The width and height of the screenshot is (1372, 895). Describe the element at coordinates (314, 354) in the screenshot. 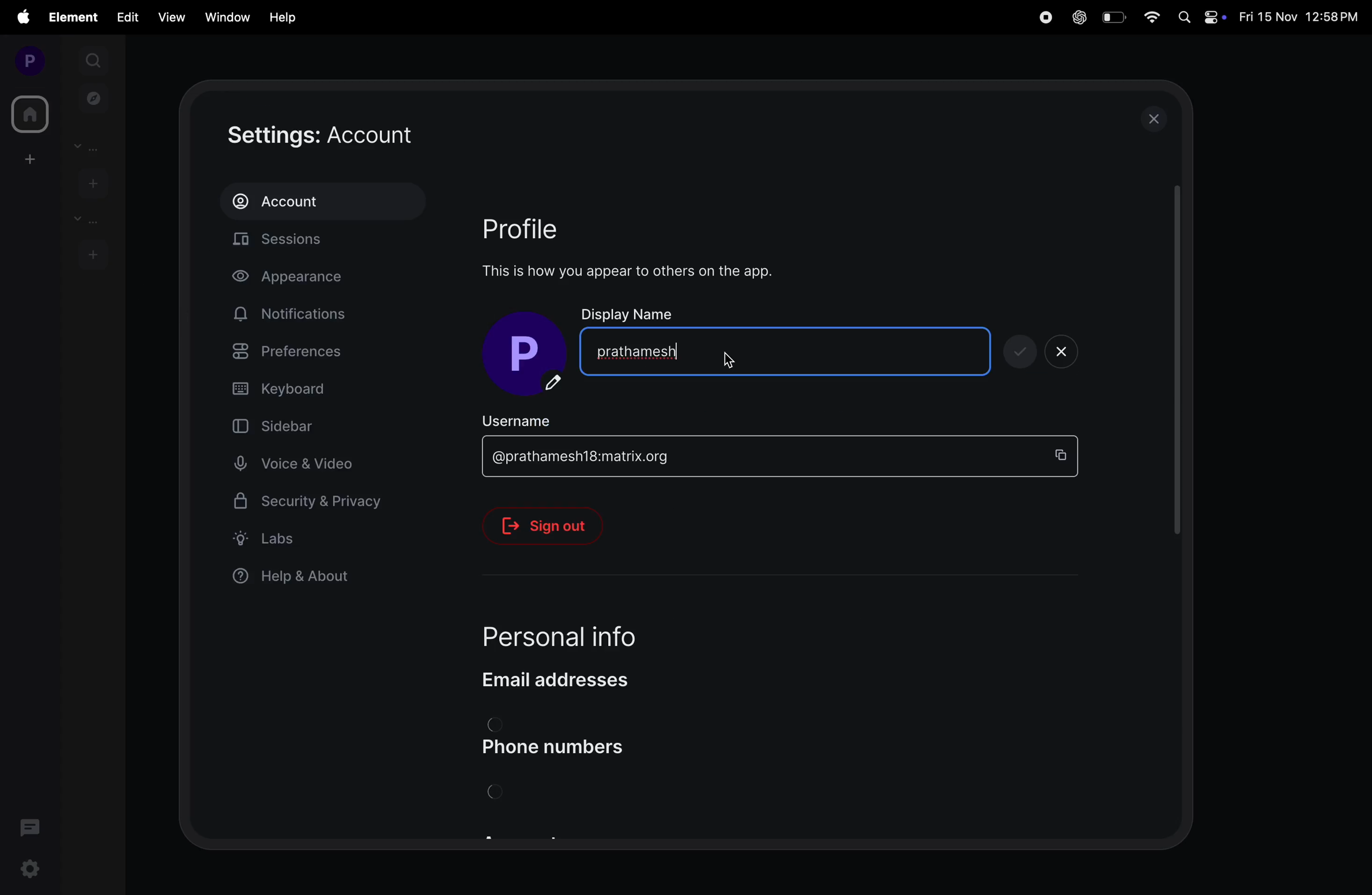

I see `prefrences` at that location.